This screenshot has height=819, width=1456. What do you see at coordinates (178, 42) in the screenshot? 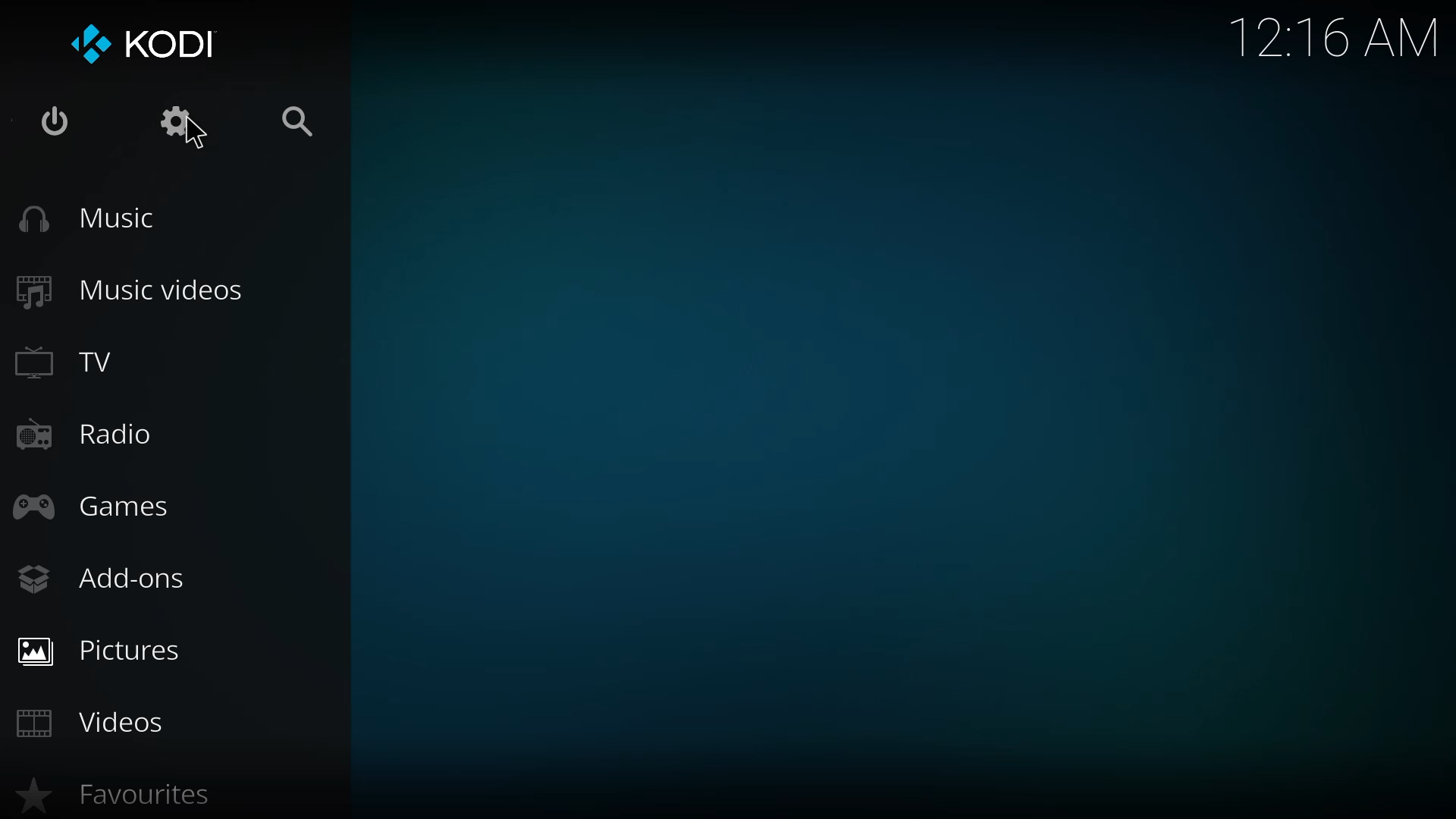
I see `kodi` at bounding box center [178, 42].